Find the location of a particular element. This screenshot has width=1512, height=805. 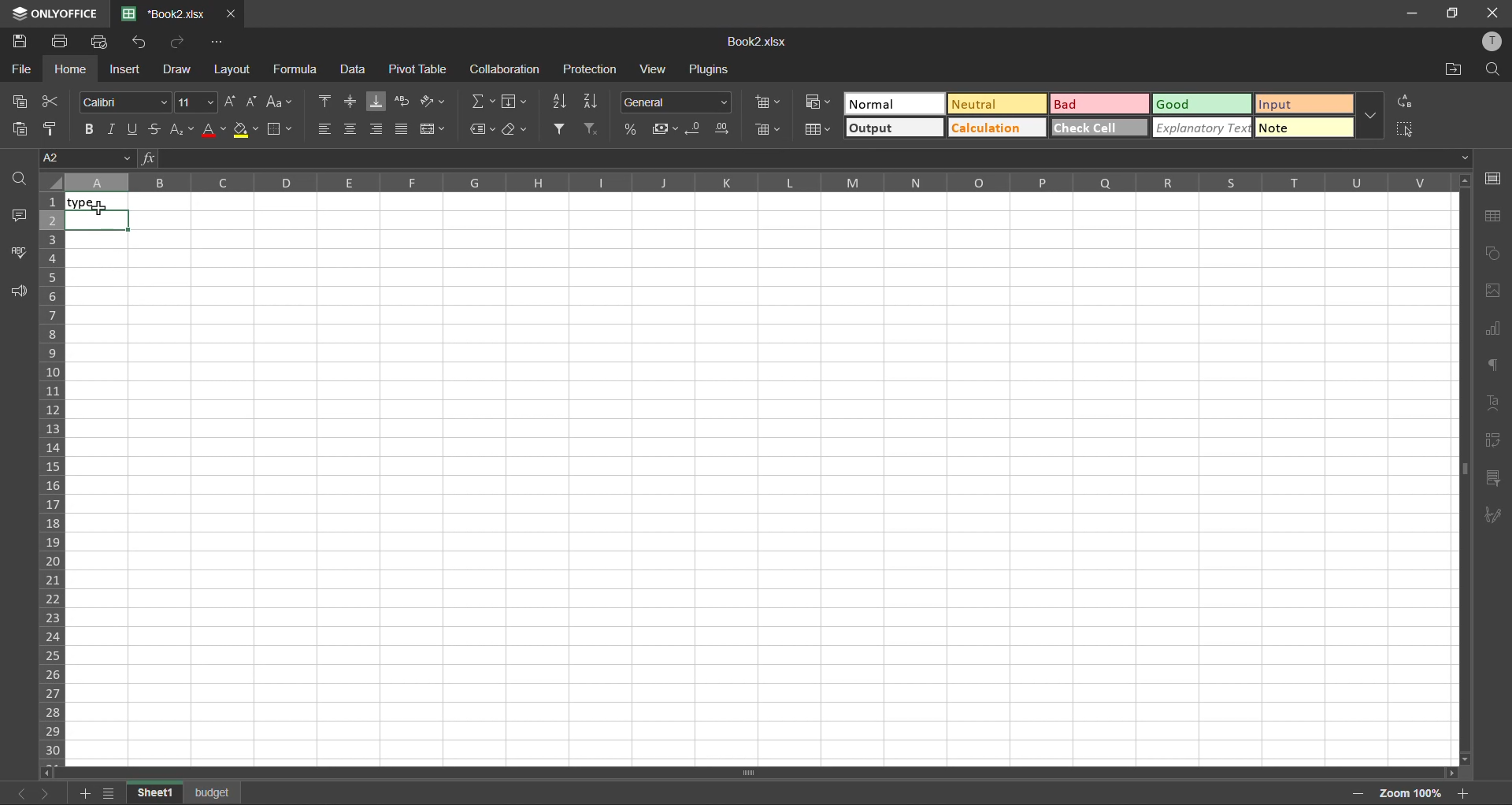

protection is located at coordinates (592, 70).